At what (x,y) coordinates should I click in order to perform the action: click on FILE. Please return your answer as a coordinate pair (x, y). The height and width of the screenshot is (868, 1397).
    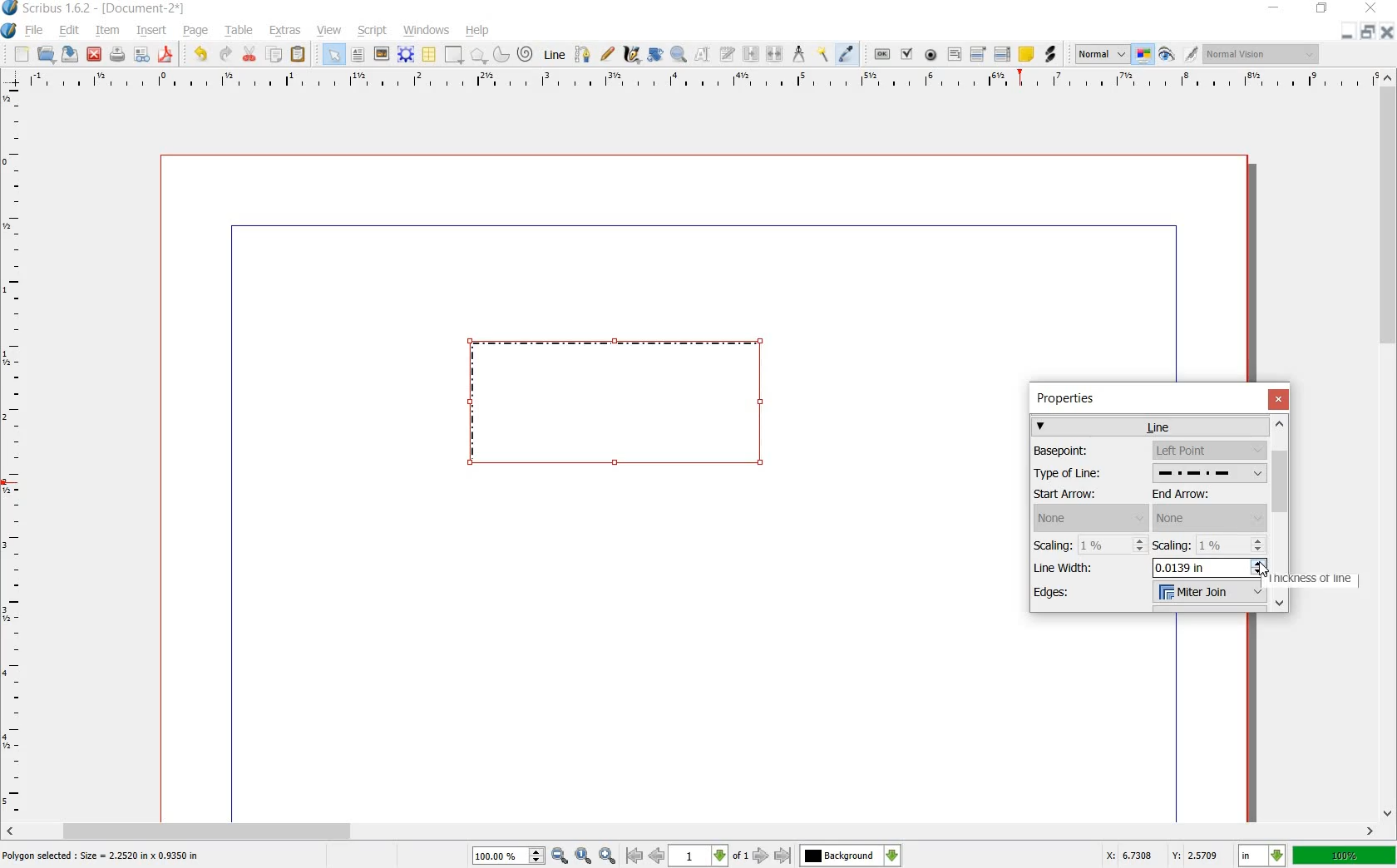
    Looking at the image, I should click on (34, 32).